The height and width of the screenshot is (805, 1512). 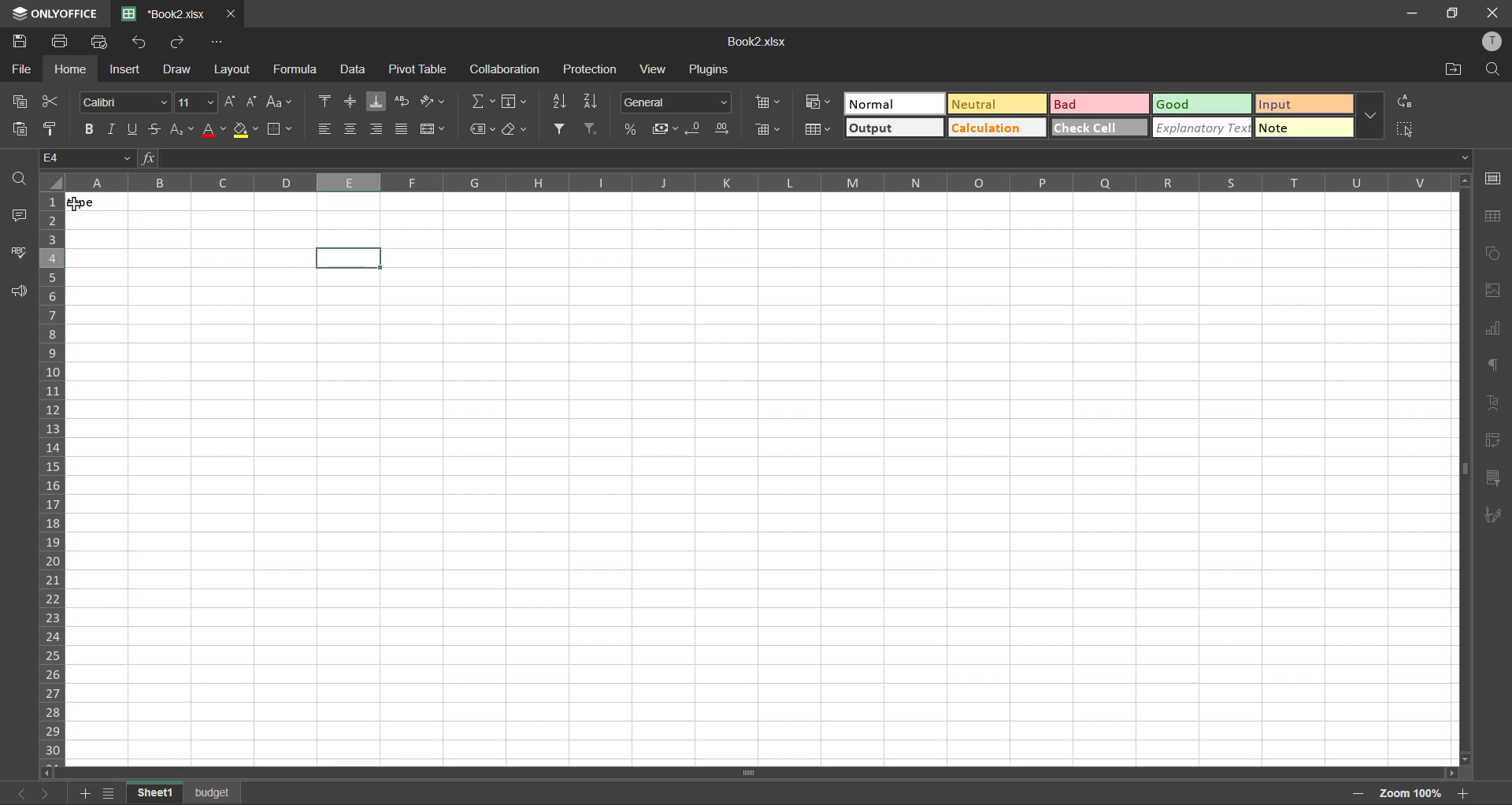 I want to click on bad, so click(x=1099, y=103).